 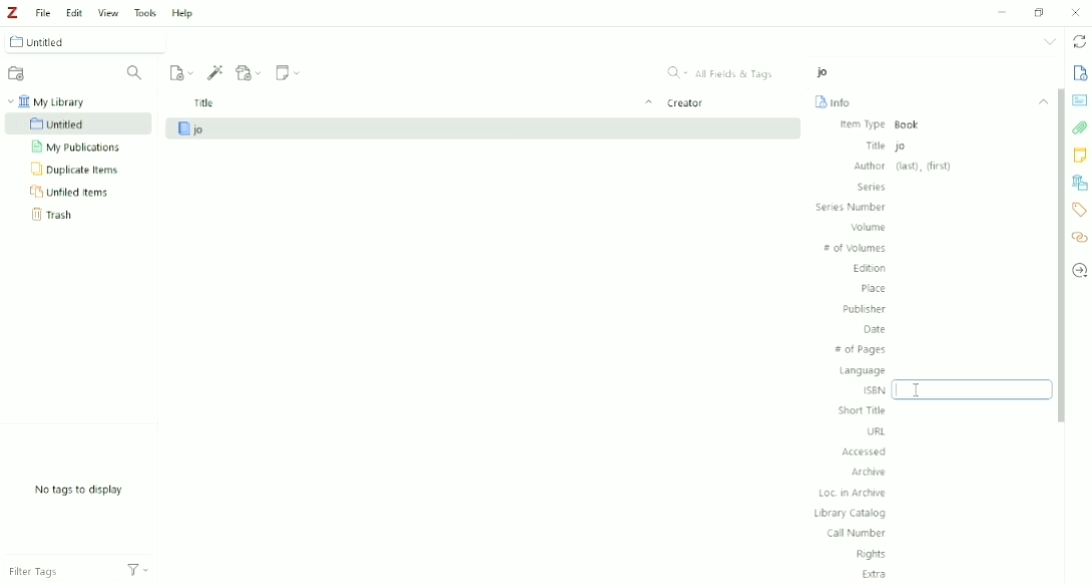 I want to click on jo, so click(x=822, y=72).